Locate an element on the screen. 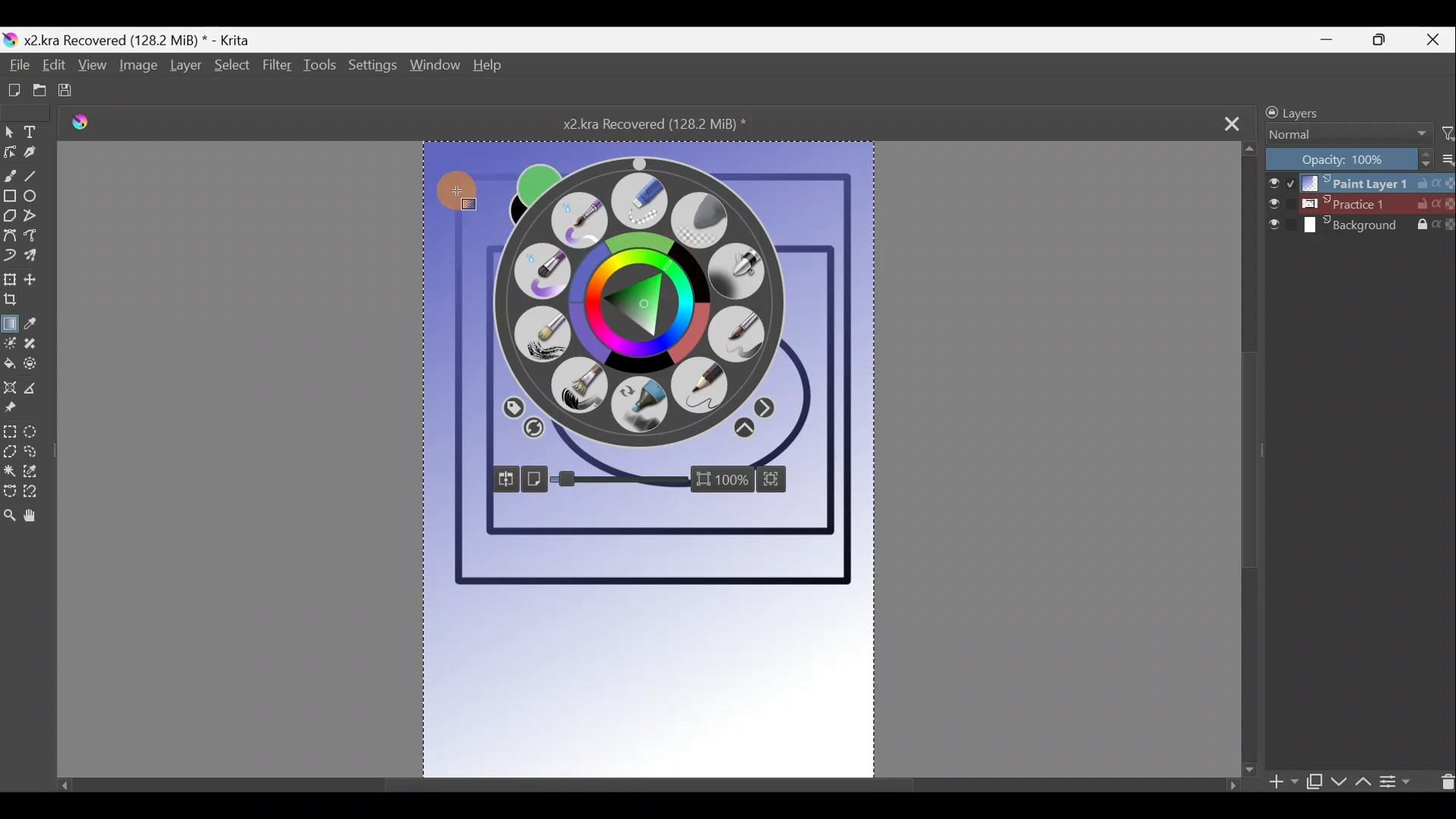 The width and height of the screenshot is (1456, 819). Scroll bar is located at coordinates (644, 780).